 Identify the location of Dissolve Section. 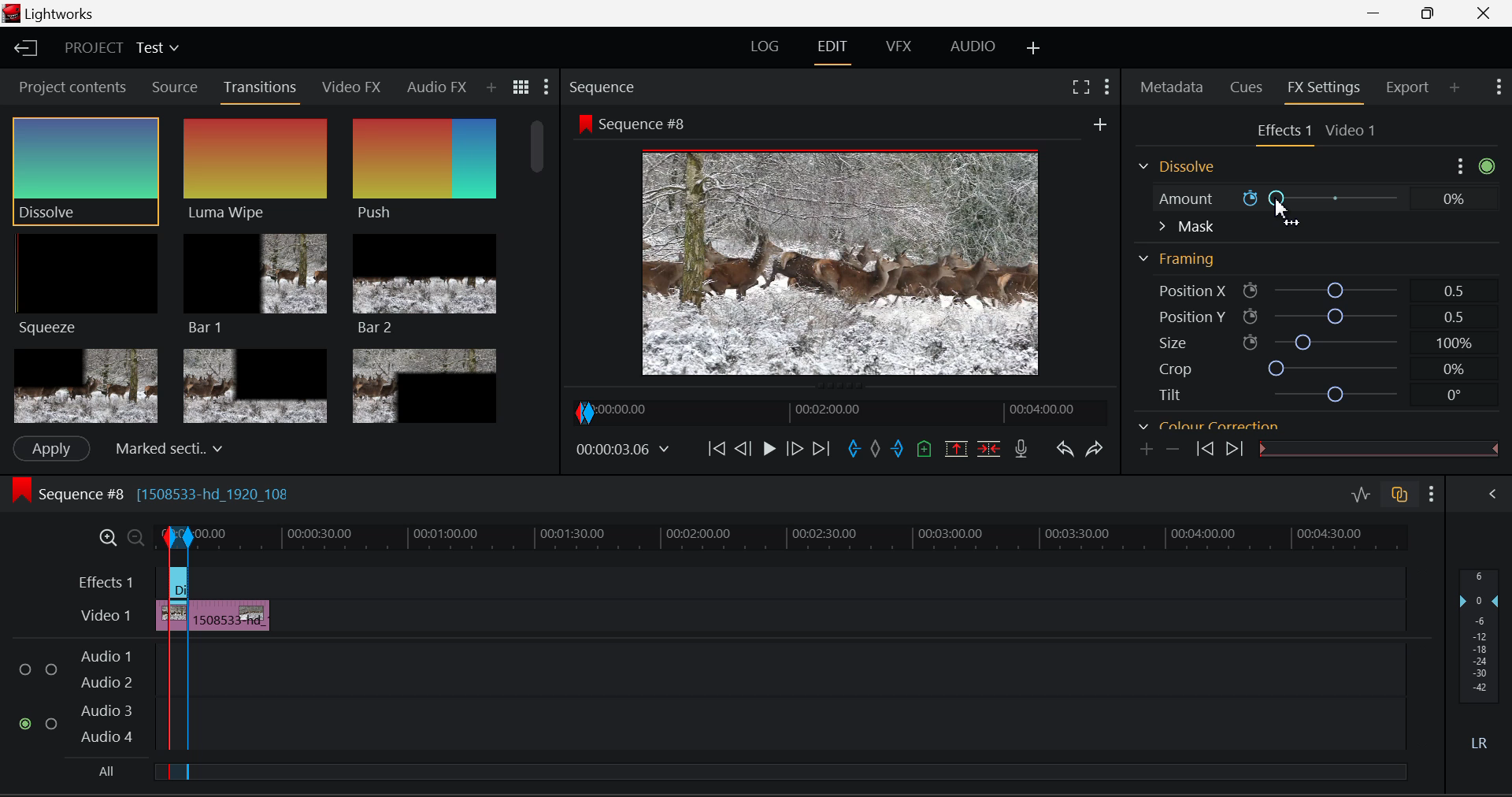
(1181, 168).